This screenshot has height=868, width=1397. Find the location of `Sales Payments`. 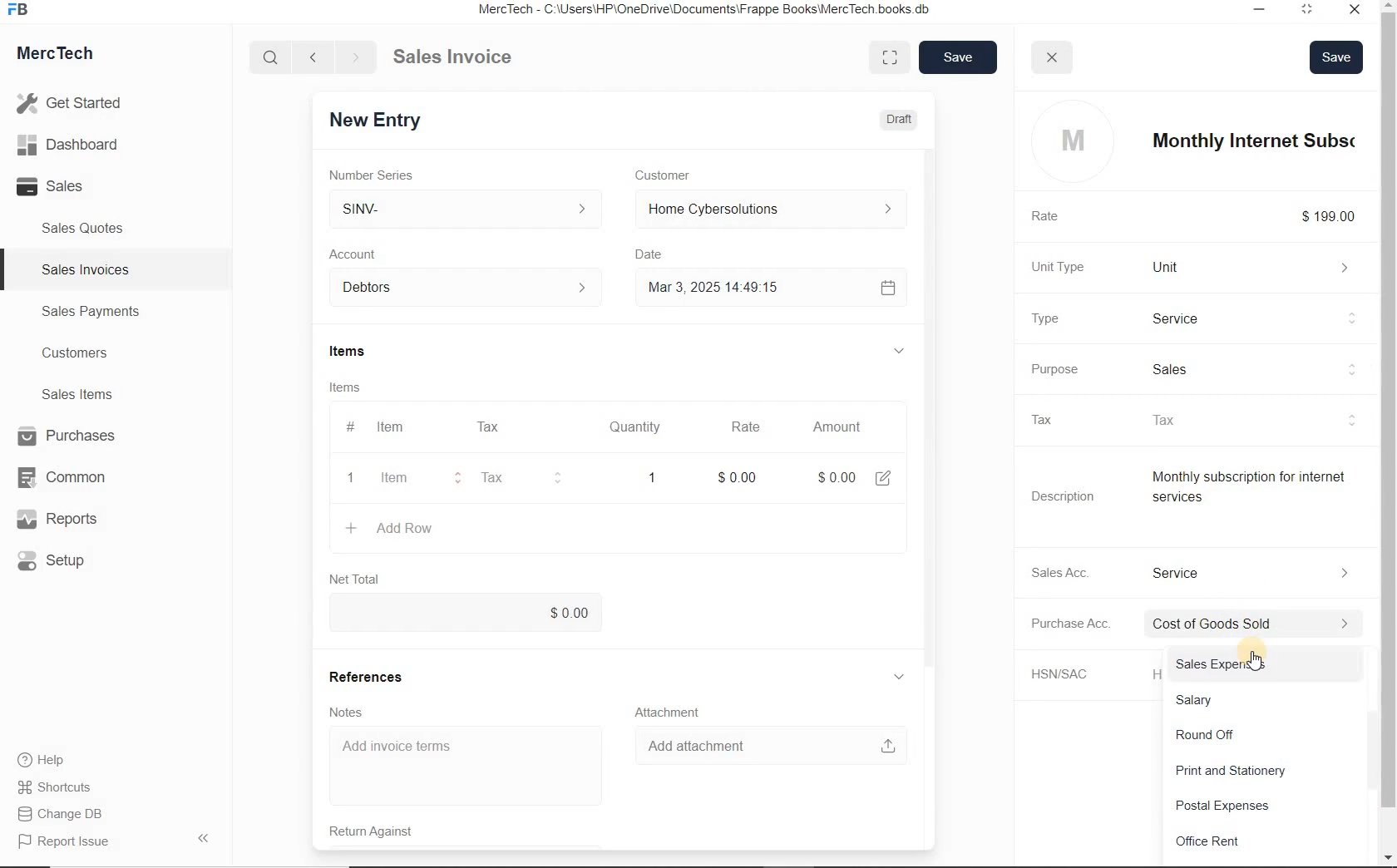

Sales Payments is located at coordinates (88, 312).